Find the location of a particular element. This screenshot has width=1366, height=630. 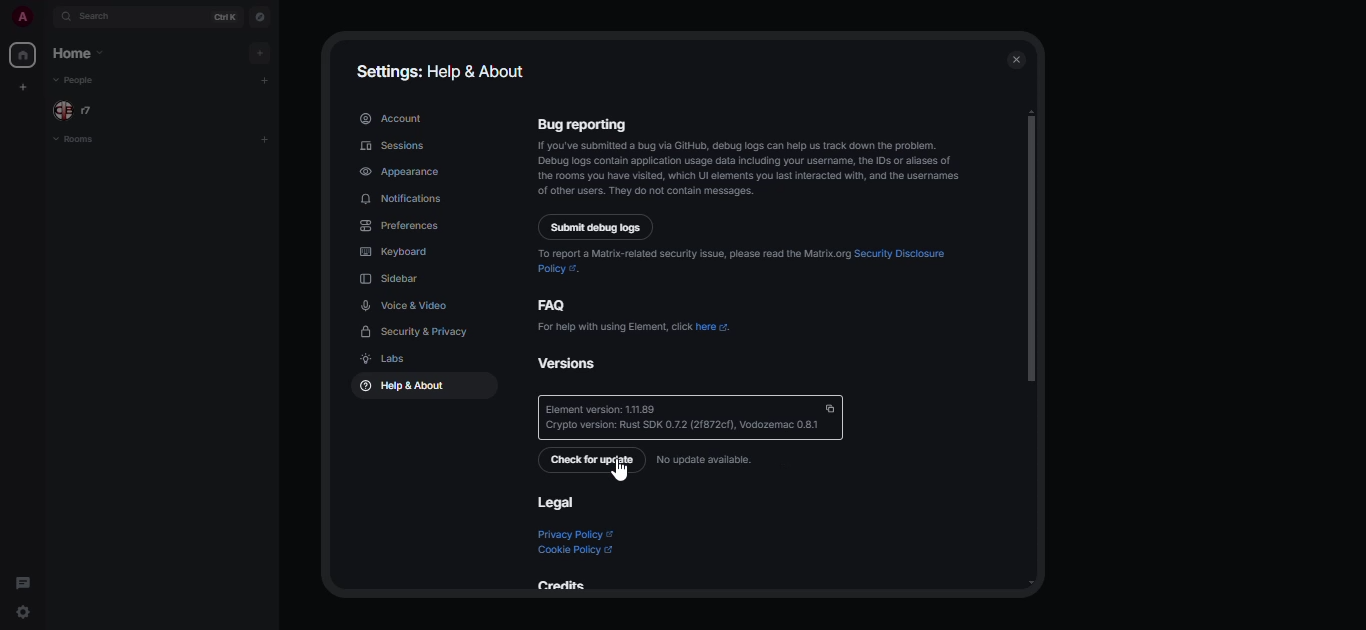

no update available is located at coordinates (705, 459).